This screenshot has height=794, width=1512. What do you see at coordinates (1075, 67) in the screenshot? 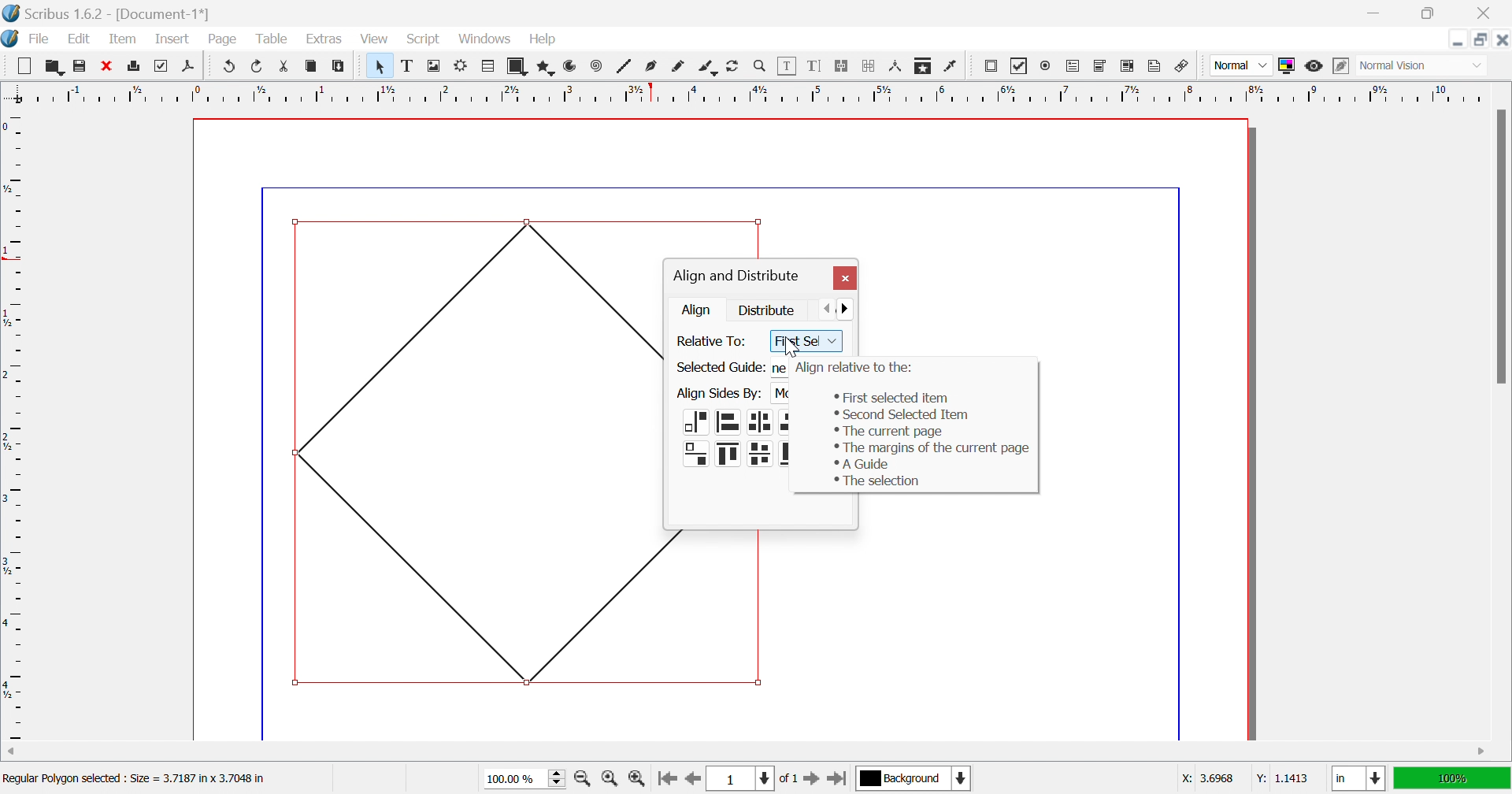
I see `PDF text field` at bounding box center [1075, 67].